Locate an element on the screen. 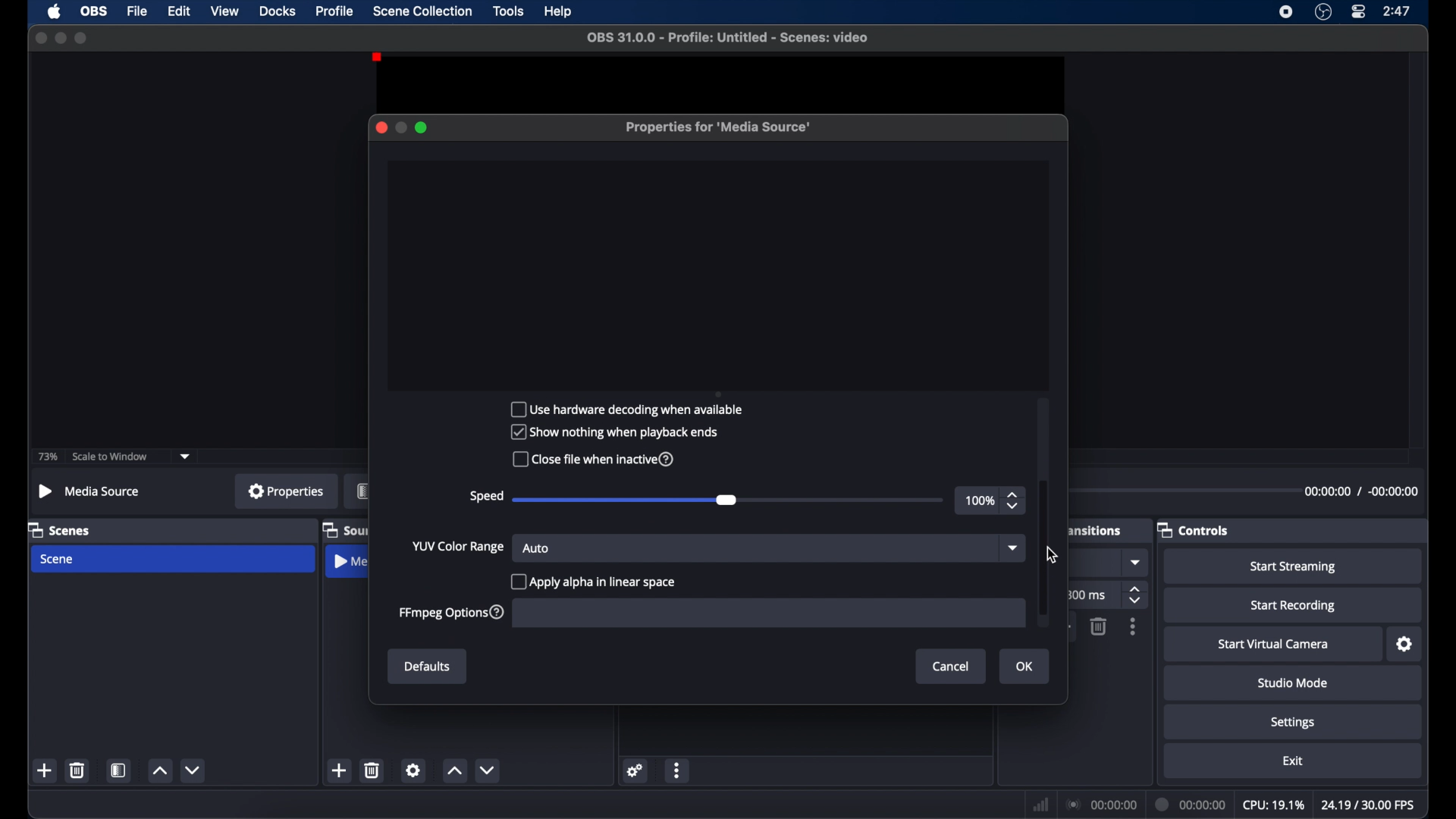 The image size is (1456, 819). start recording is located at coordinates (1293, 606).